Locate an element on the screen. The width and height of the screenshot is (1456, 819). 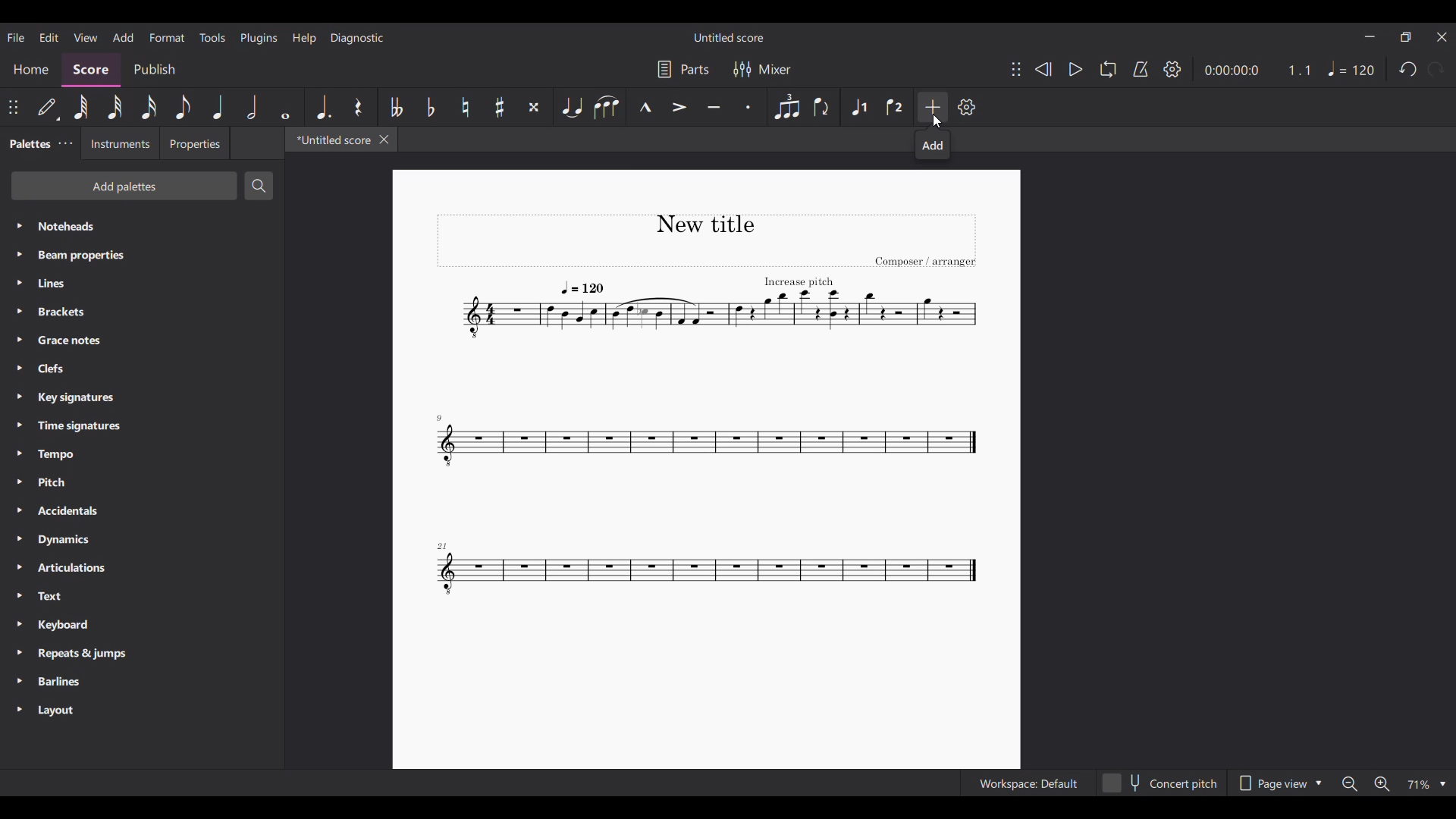
Tempo is located at coordinates (142, 454).